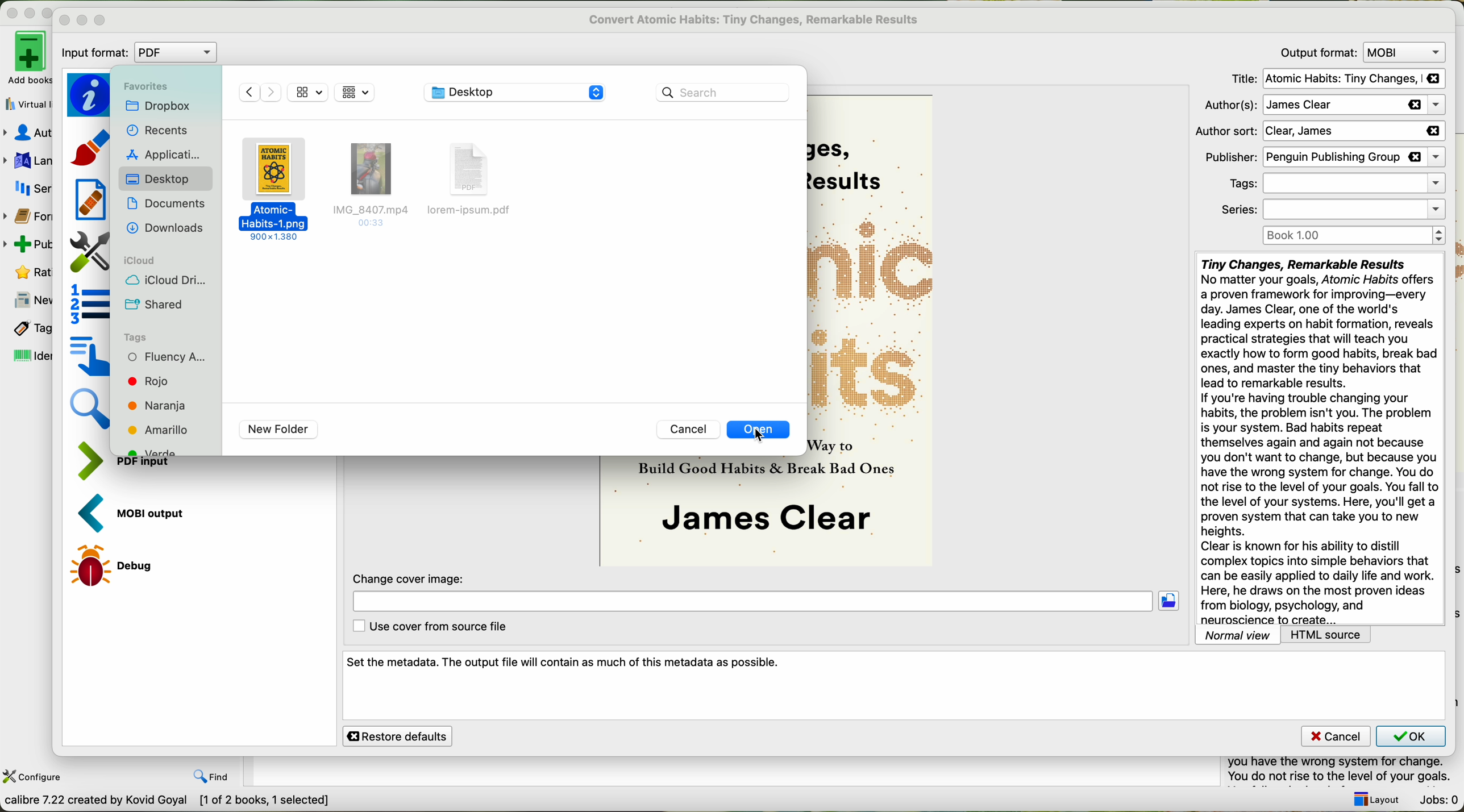  What do you see at coordinates (373, 188) in the screenshot?
I see `disable file` at bounding box center [373, 188].